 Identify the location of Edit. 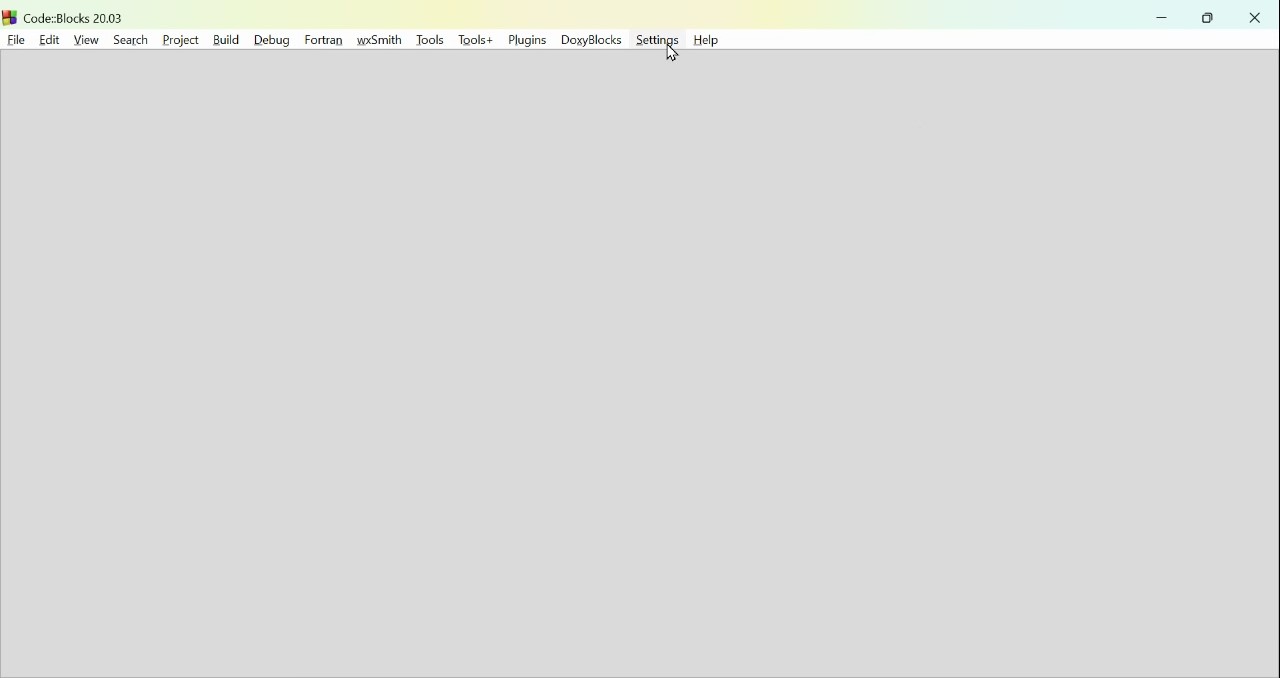
(46, 38).